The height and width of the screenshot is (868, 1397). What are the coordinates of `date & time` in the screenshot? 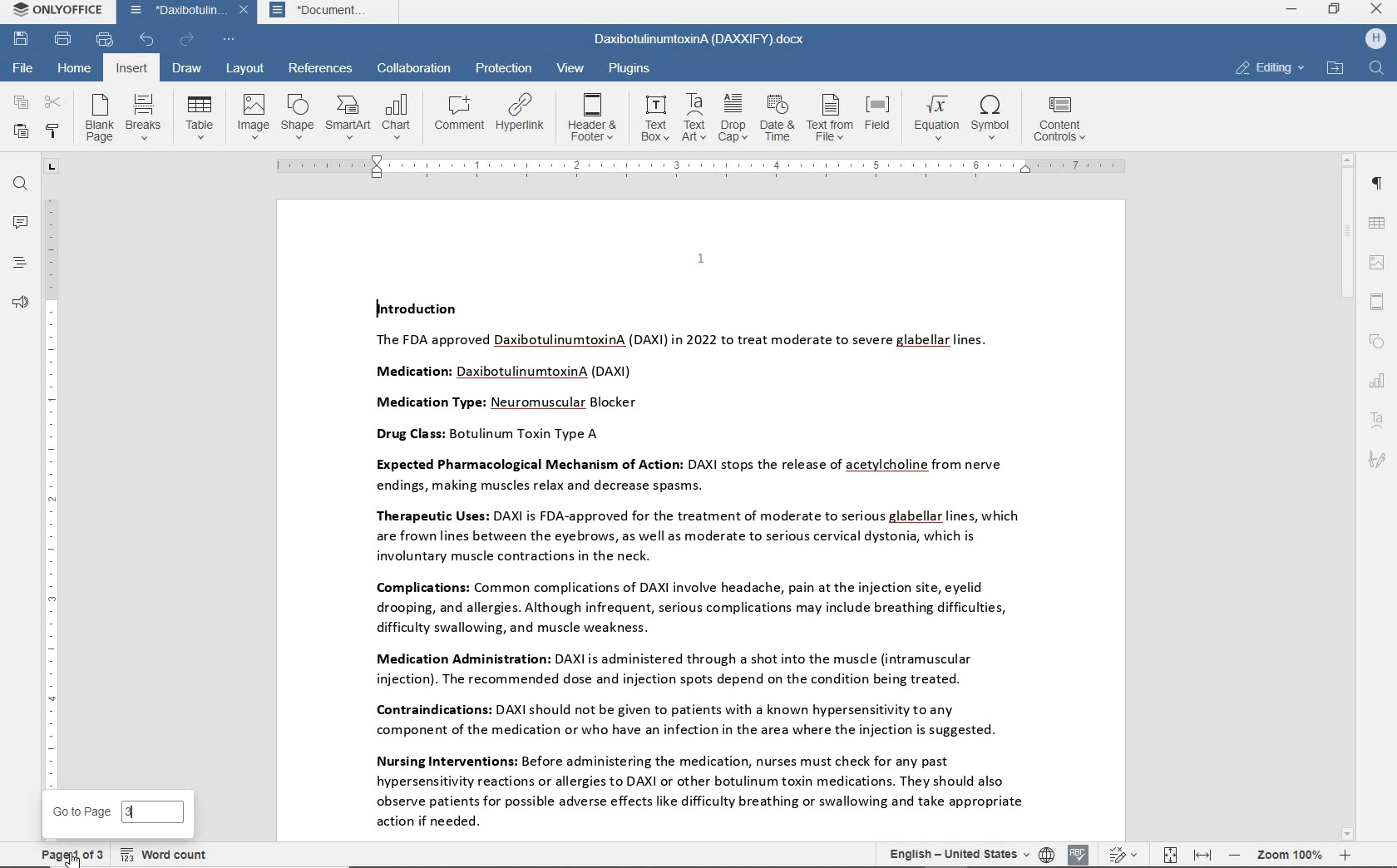 It's located at (779, 118).